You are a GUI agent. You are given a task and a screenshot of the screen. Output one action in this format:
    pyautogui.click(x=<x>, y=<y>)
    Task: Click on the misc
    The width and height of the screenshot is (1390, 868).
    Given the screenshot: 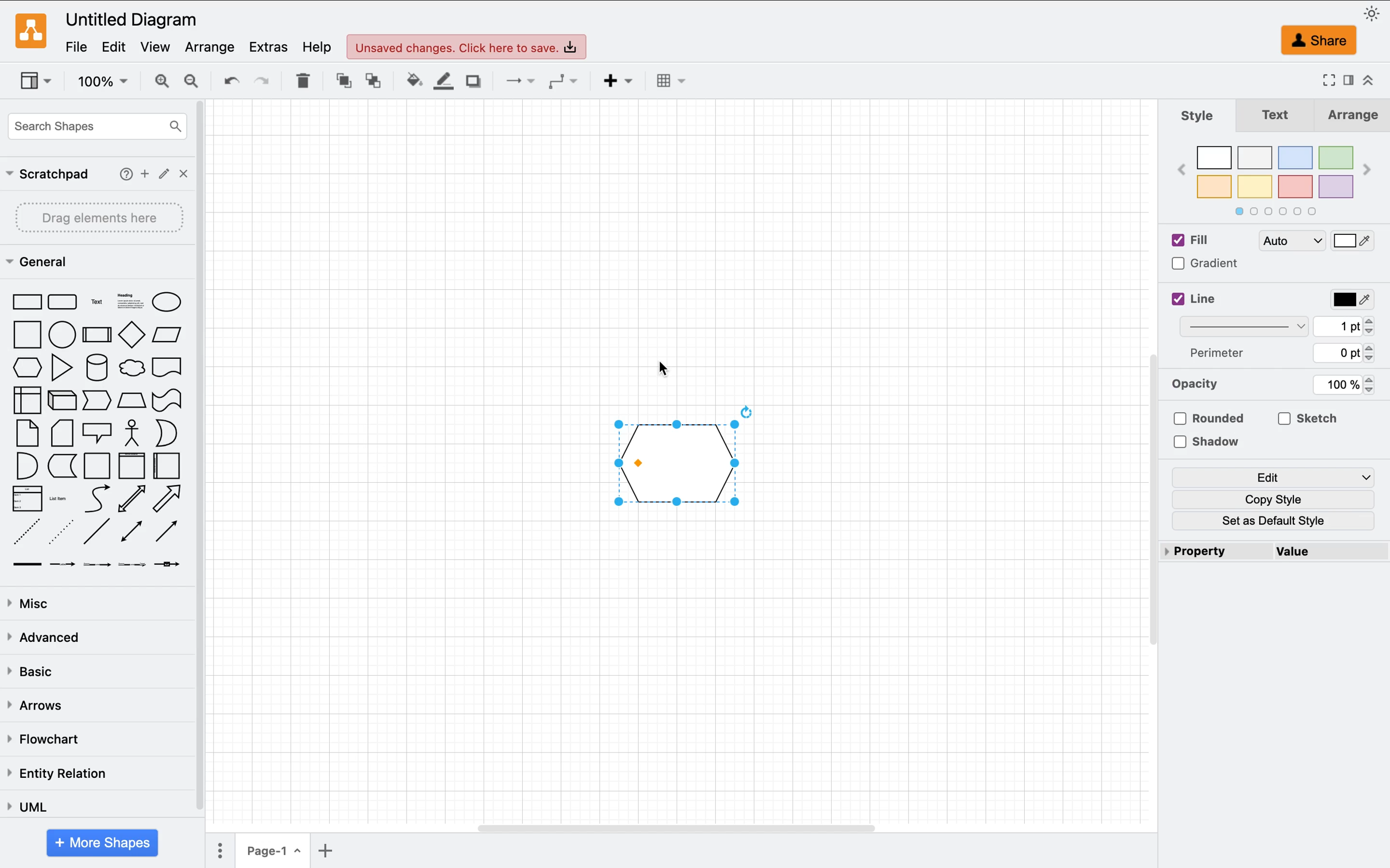 What is the action you would take?
    pyautogui.click(x=31, y=604)
    